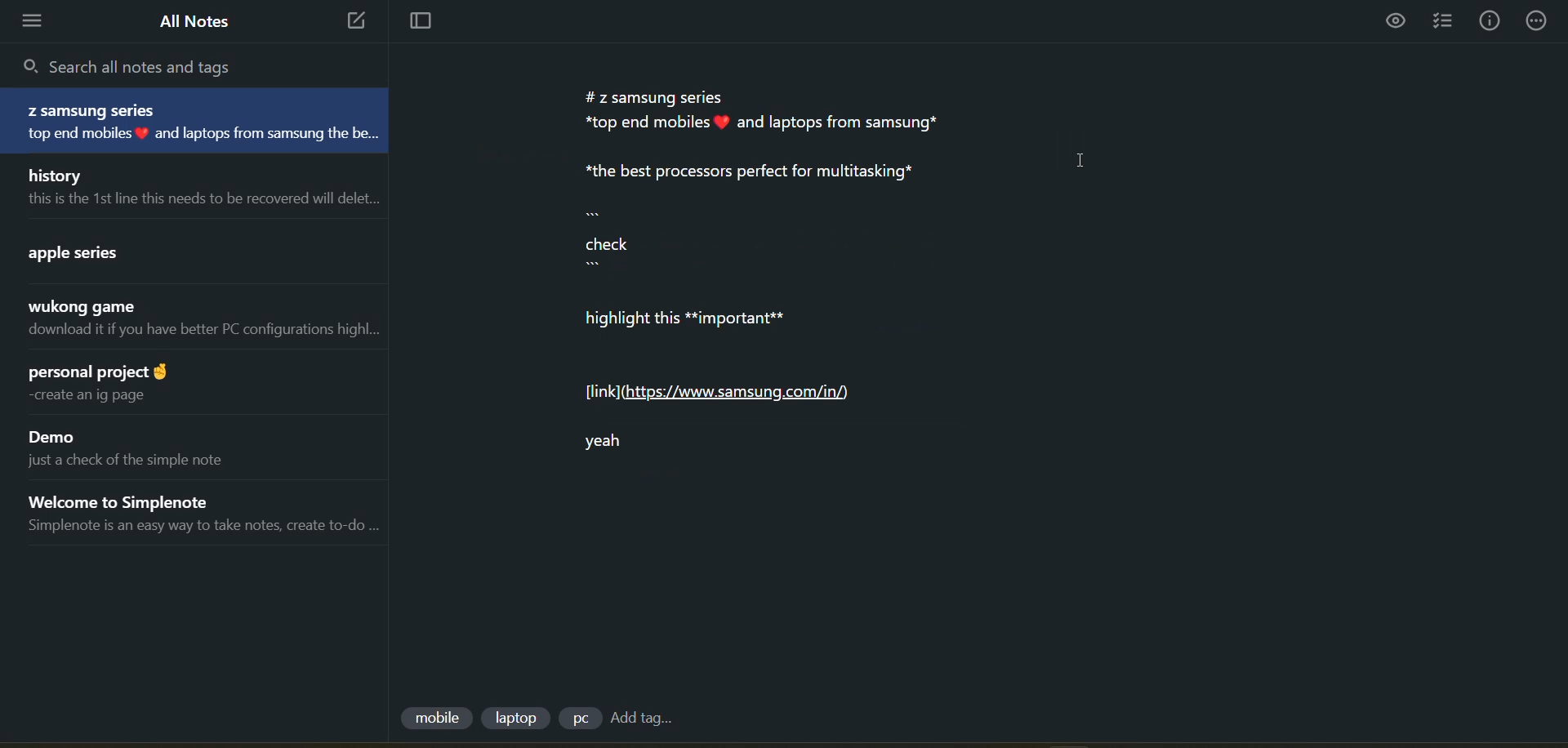 Image resolution: width=1568 pixels, height=748 pixels. Describe the element at coordinates (414, 23) in the screenshot. I see `toggle focus mode` at that location.